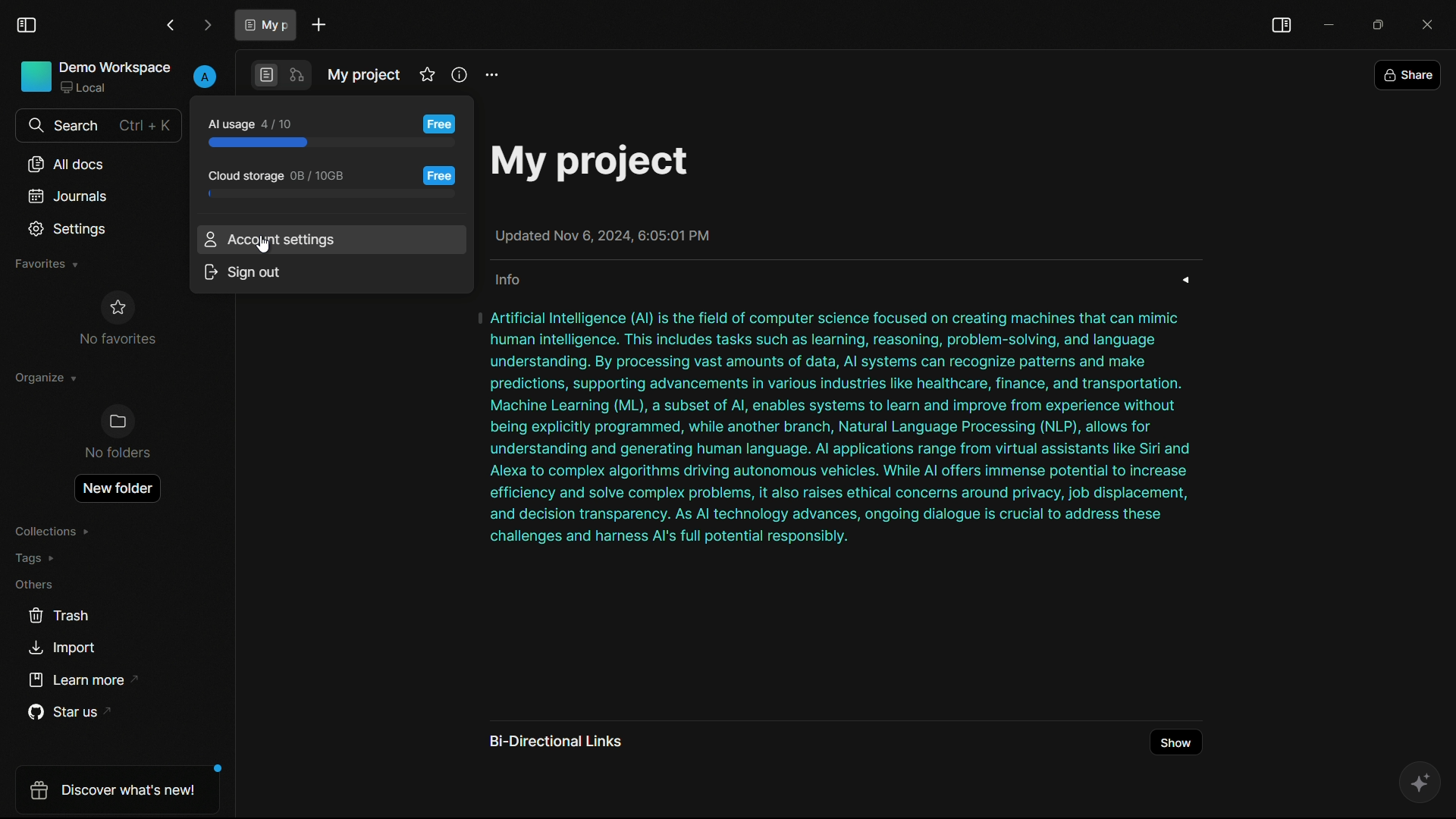 The height and width of the screenshot is (819, 1456). Describe the element at coordinates (431, 75) in the screenshot. I see `favorites` at that location.